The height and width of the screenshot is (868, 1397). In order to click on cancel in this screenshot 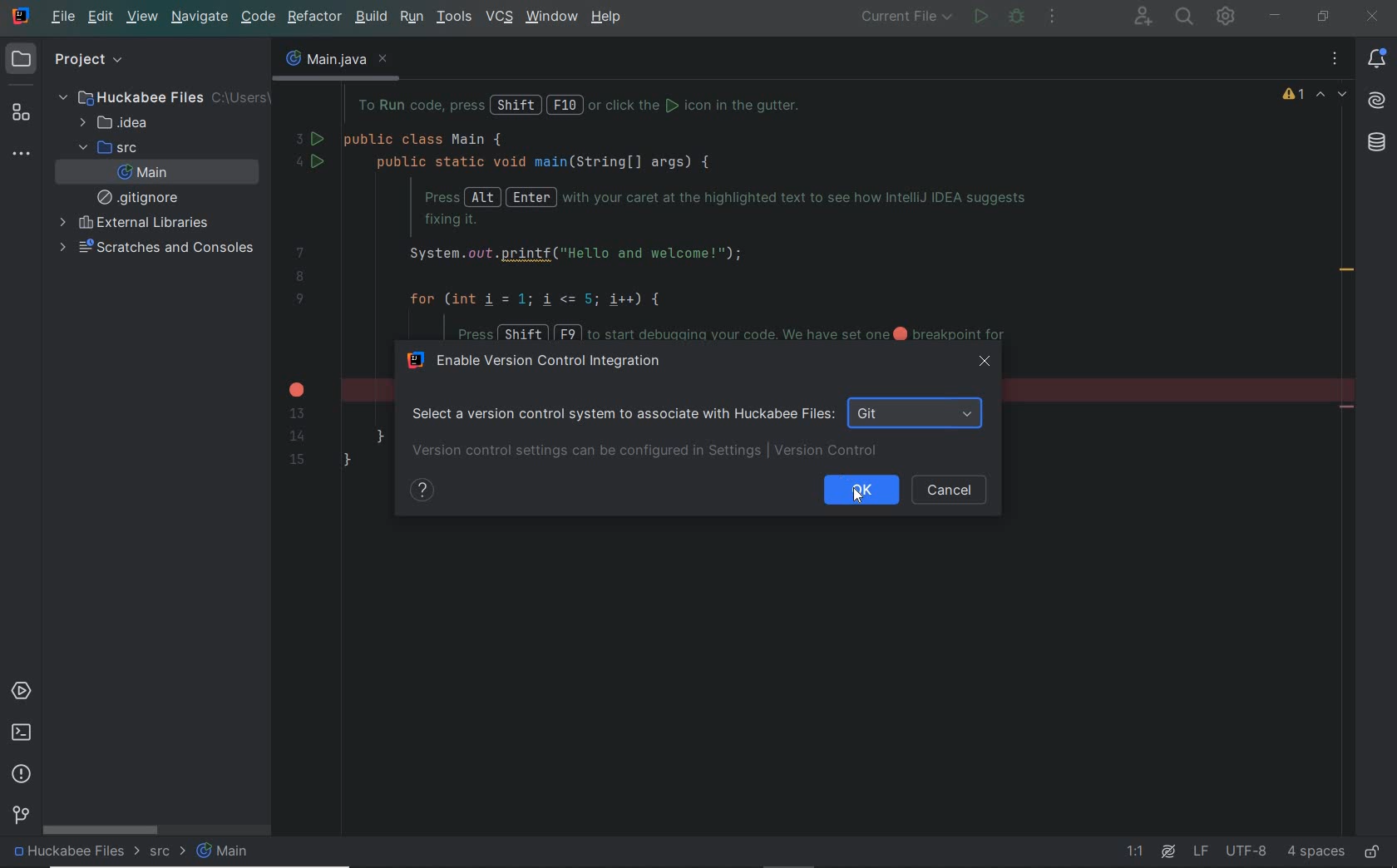, I will do `click(950, 491)`.